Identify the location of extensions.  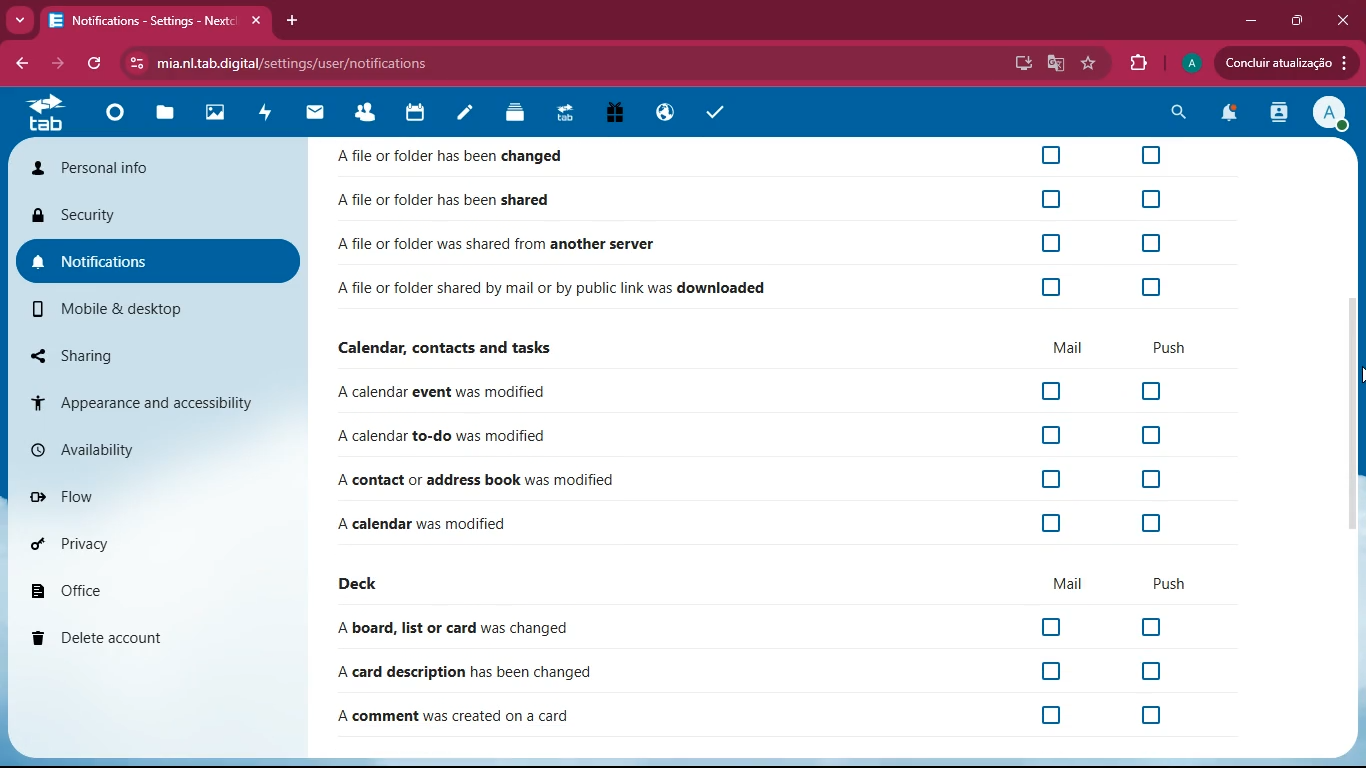
(1141, 64).